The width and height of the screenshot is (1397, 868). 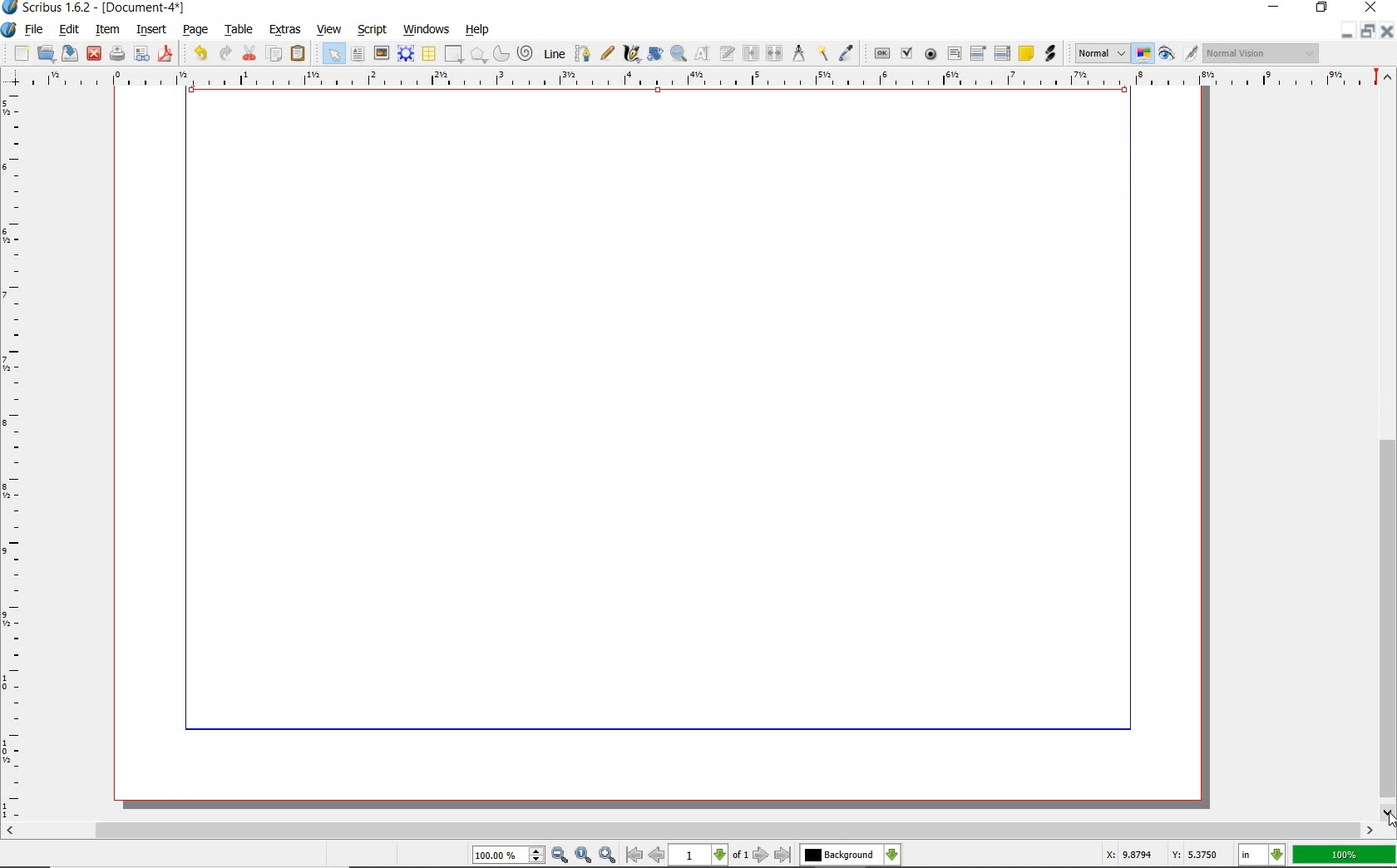 What do you see at coordinates (1178, 55) in the screenshot?
I see `preview mode` at bounding box center [1178, 55].